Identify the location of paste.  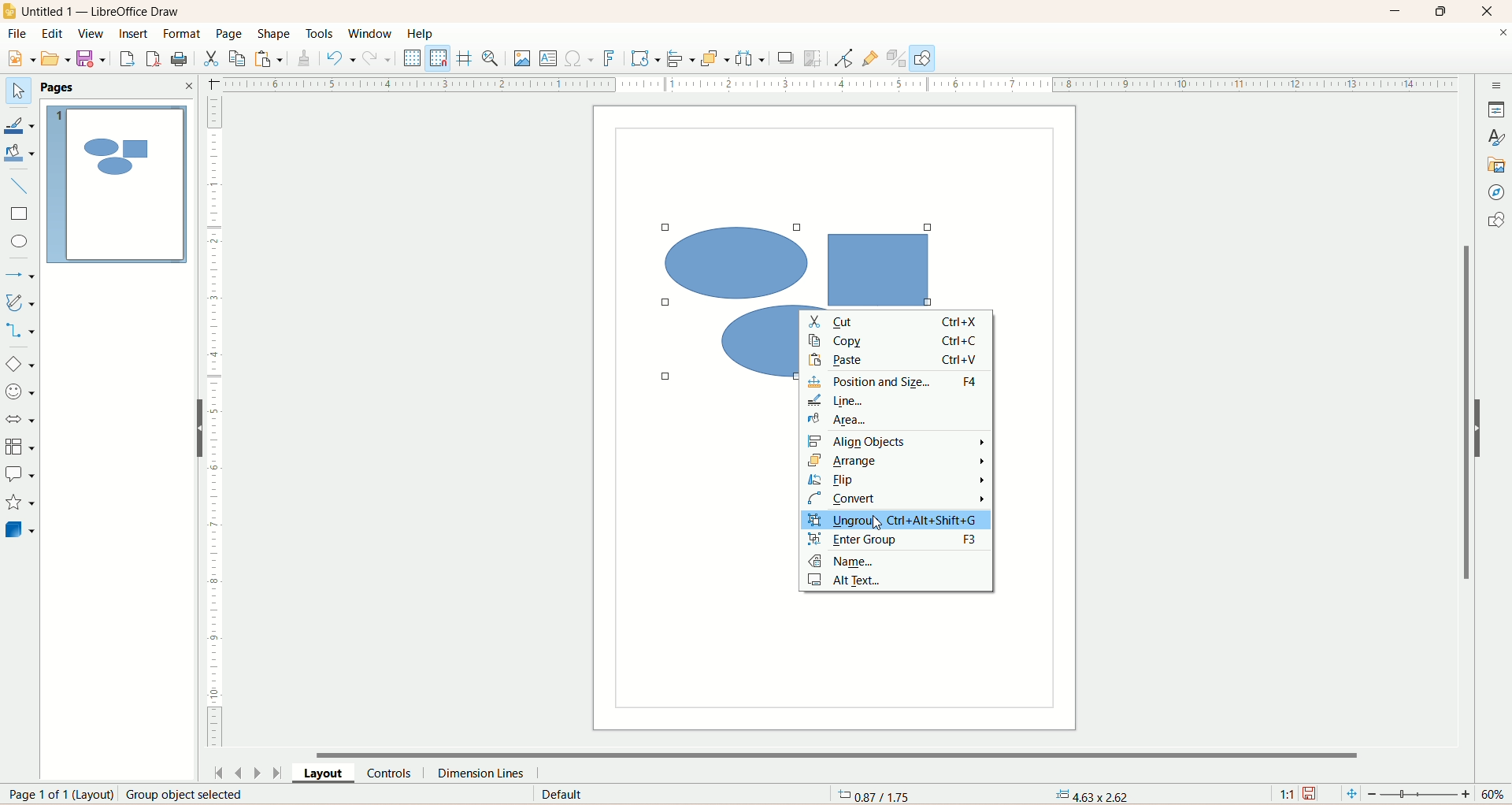
(899, 361).